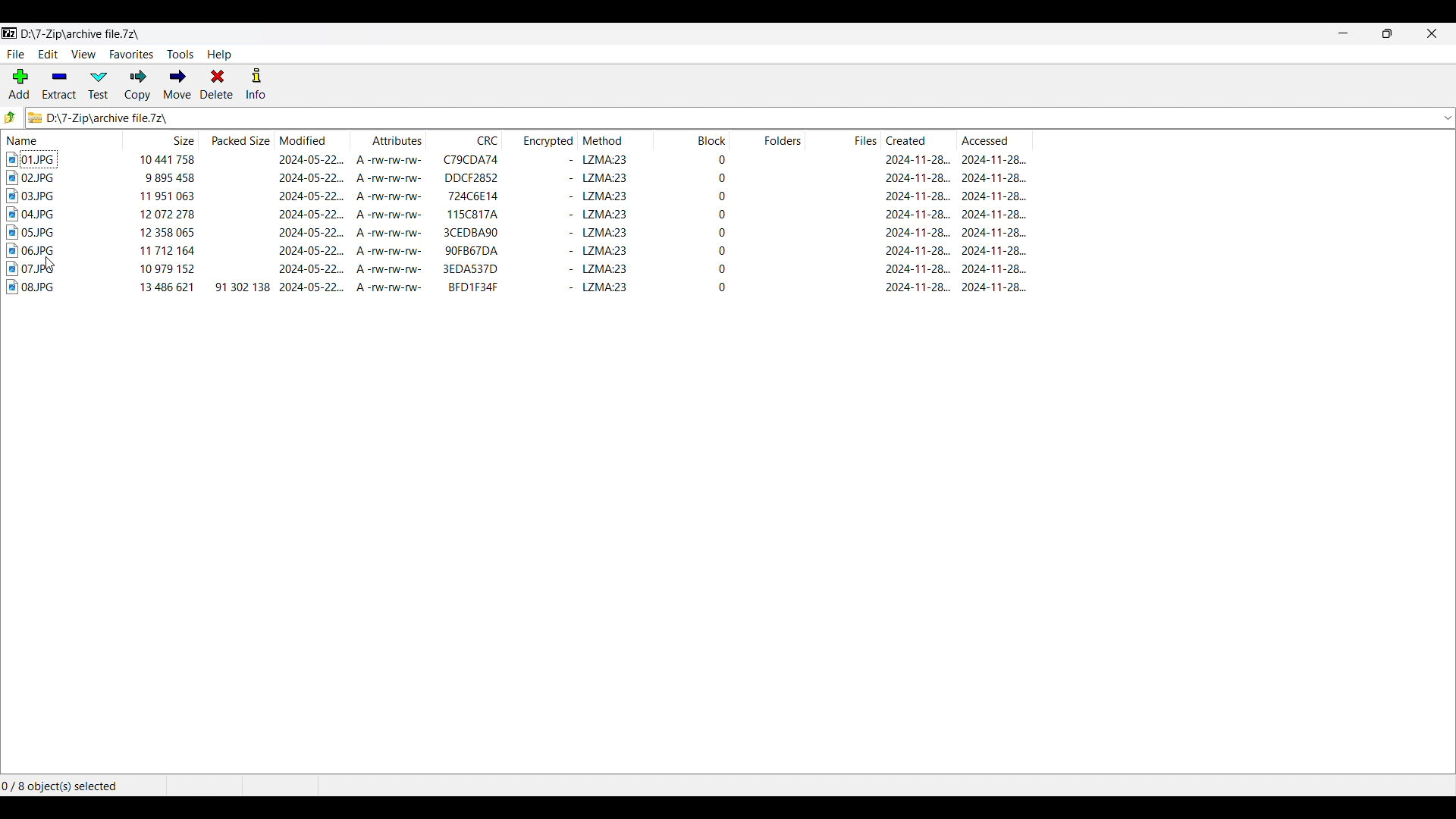 The image size is (1456, 819). What do you see at coordinates (1443, 118) in the screenshot?
I see `dropdown` at bounding box center [1443, 118].